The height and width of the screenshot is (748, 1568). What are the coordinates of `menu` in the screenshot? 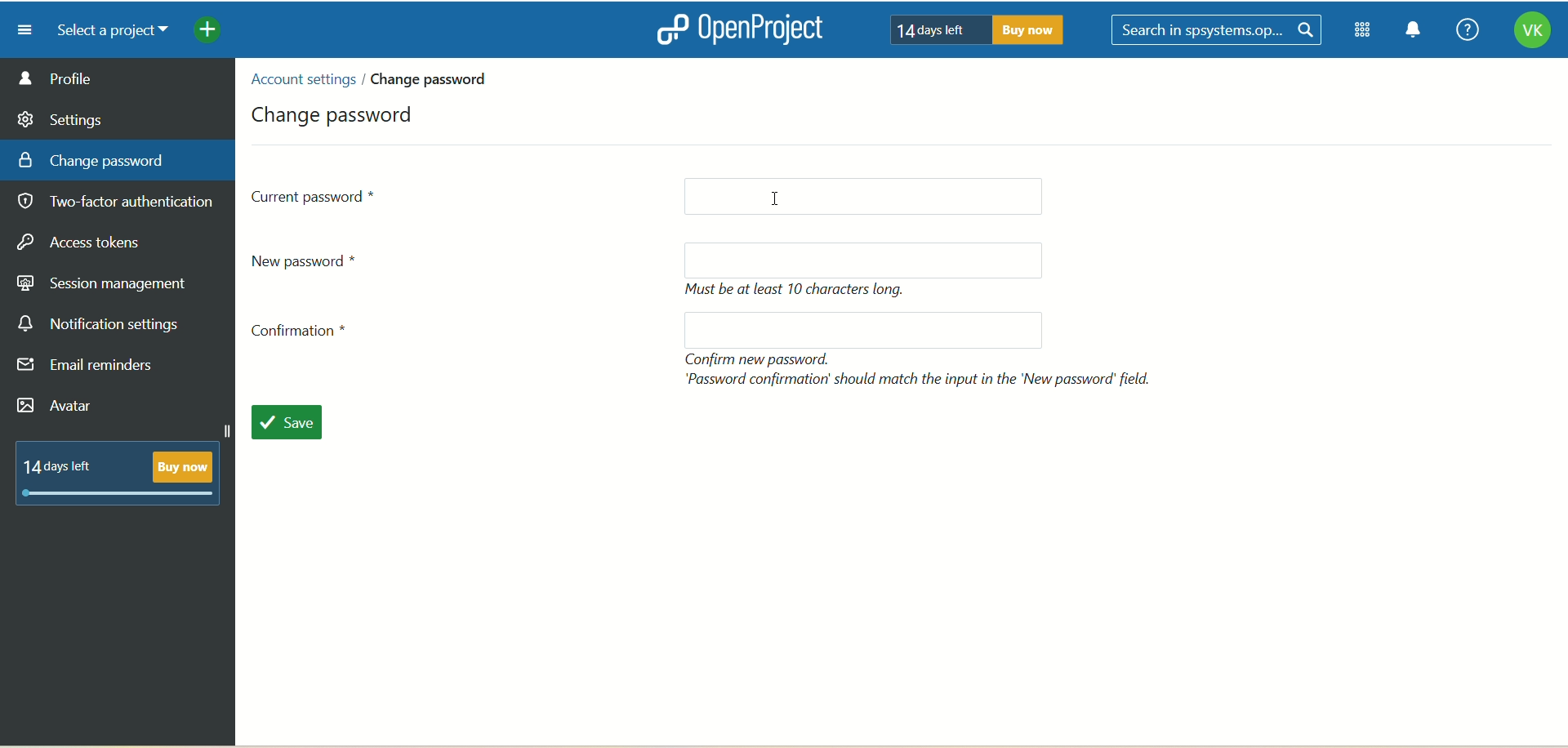 It's located at (19, 29).